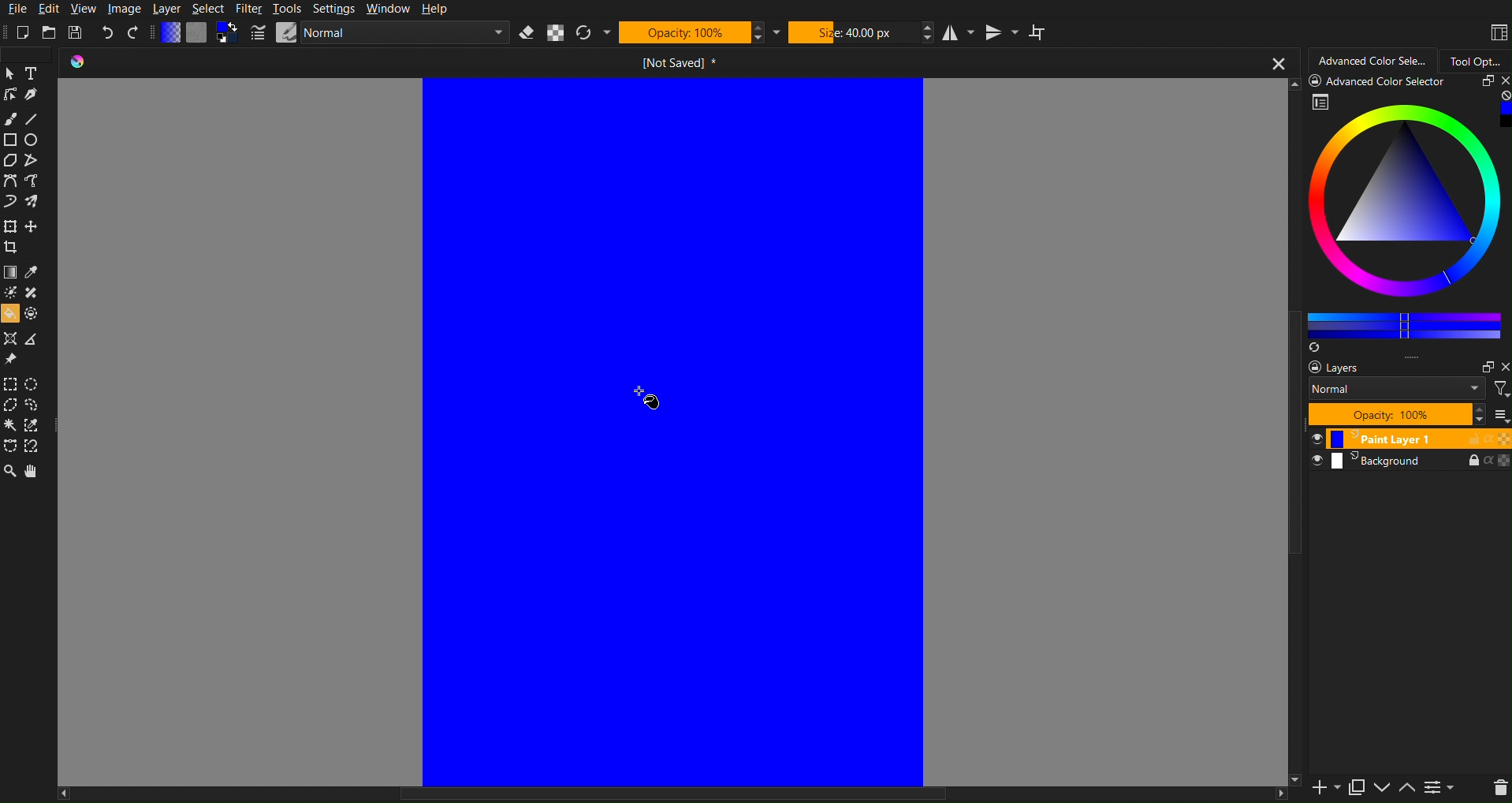  What do you see at coordinates (133, 32) in the screenshot?
I see `Redo` at bounding box center [133, 32].